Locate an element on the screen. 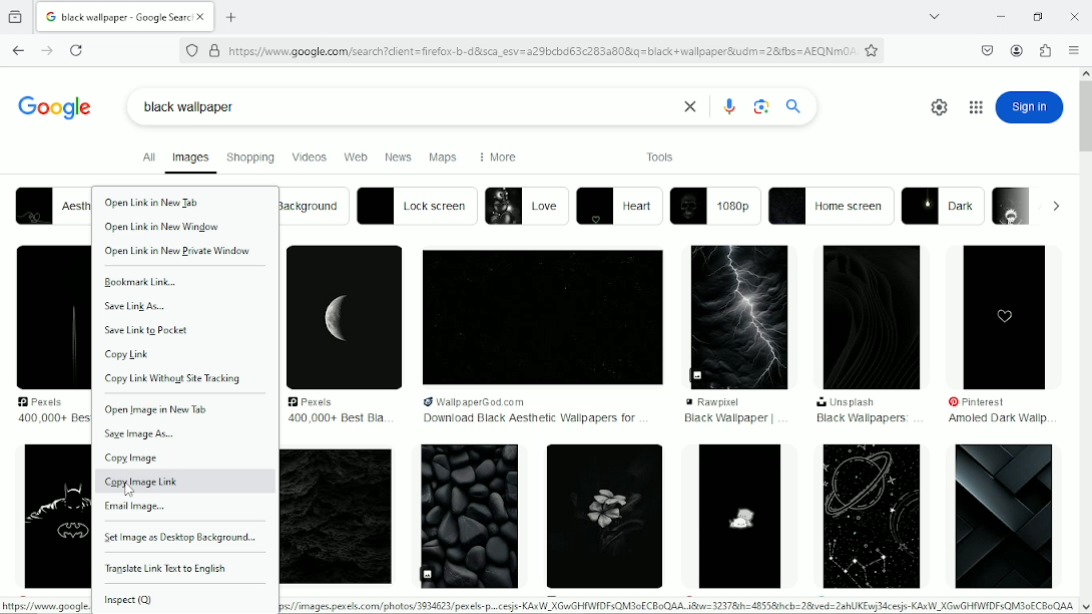 This screenshot has height=614, width=1092. web is located at coordinates (355, 158).